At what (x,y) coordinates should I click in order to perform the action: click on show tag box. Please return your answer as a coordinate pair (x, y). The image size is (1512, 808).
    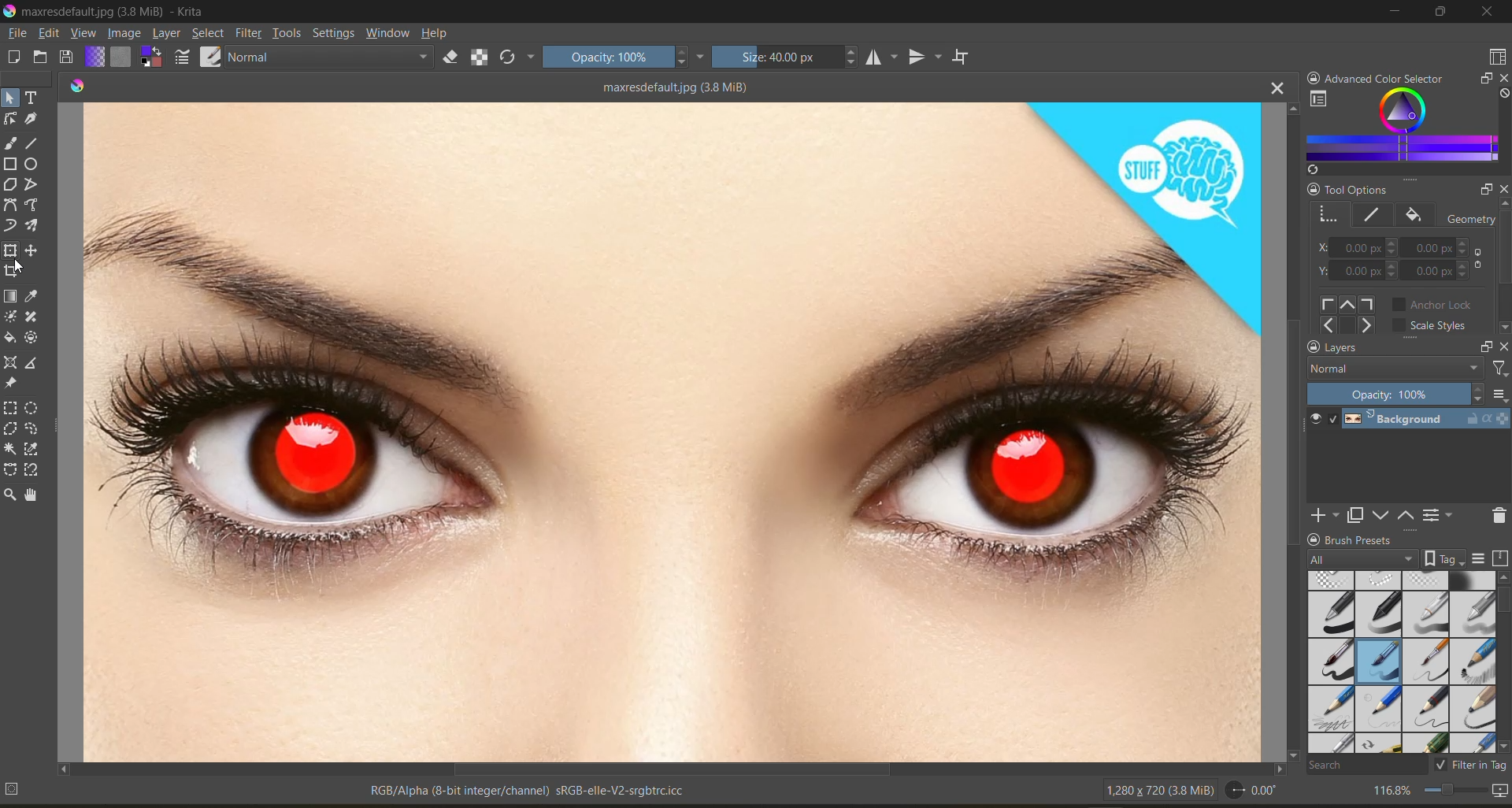
    Looking at the image, I should click on (1445, 558).